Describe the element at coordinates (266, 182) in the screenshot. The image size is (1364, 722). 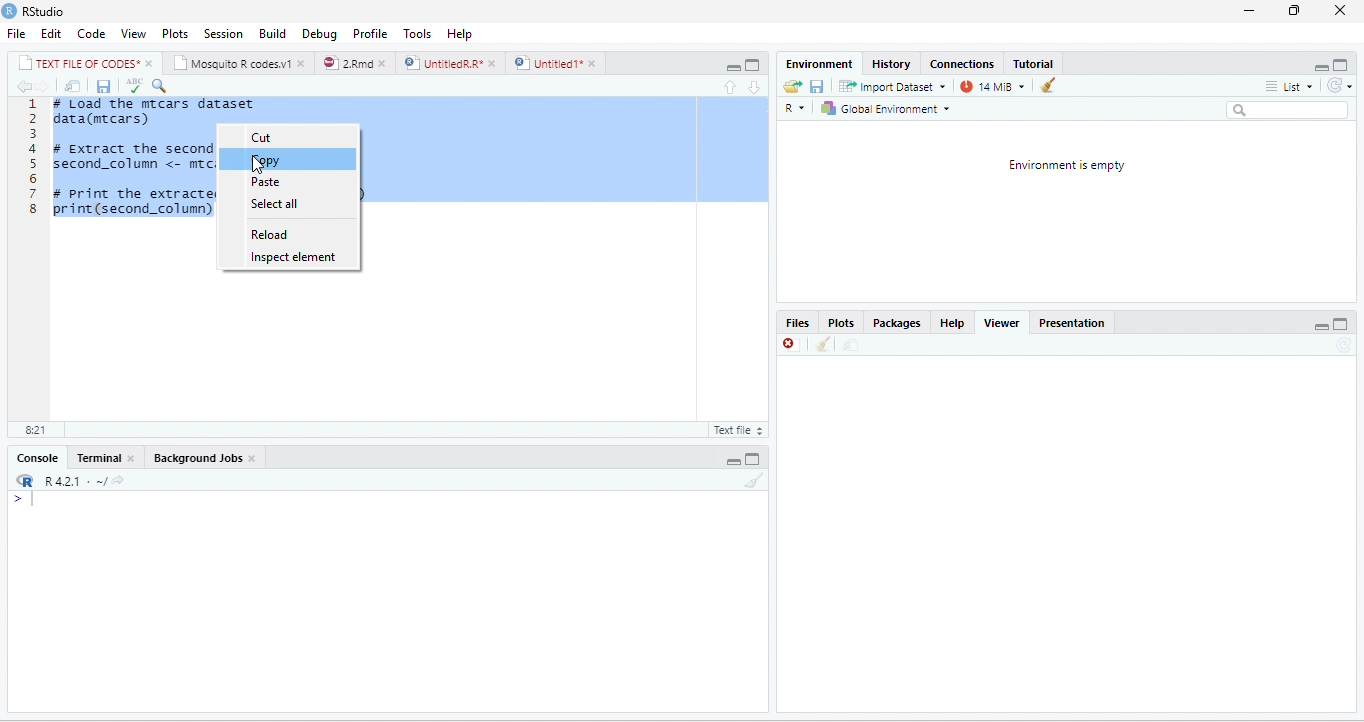
I see `paste` at that location.